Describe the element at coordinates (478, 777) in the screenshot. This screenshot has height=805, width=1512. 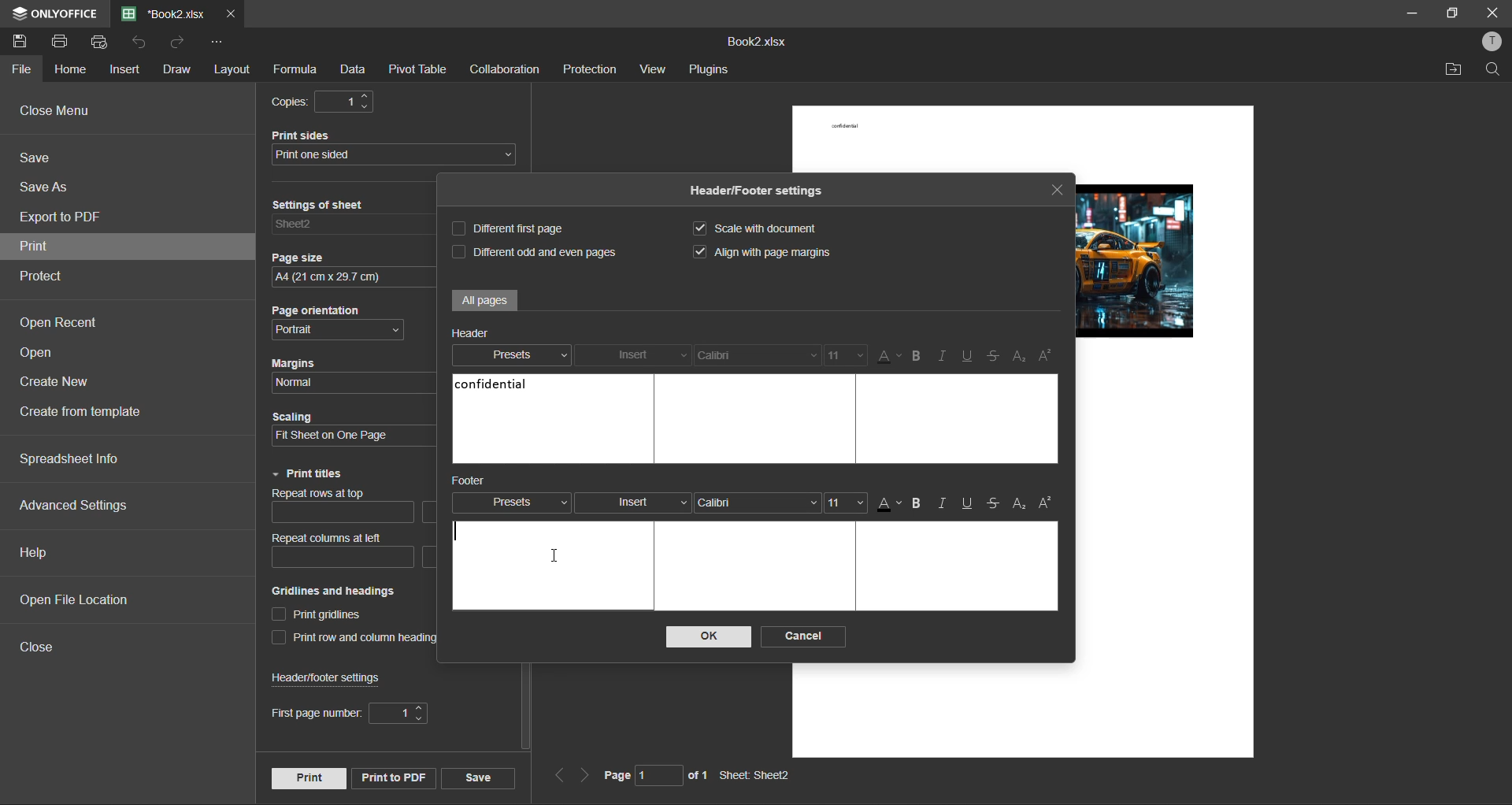
I see `save` at that location.